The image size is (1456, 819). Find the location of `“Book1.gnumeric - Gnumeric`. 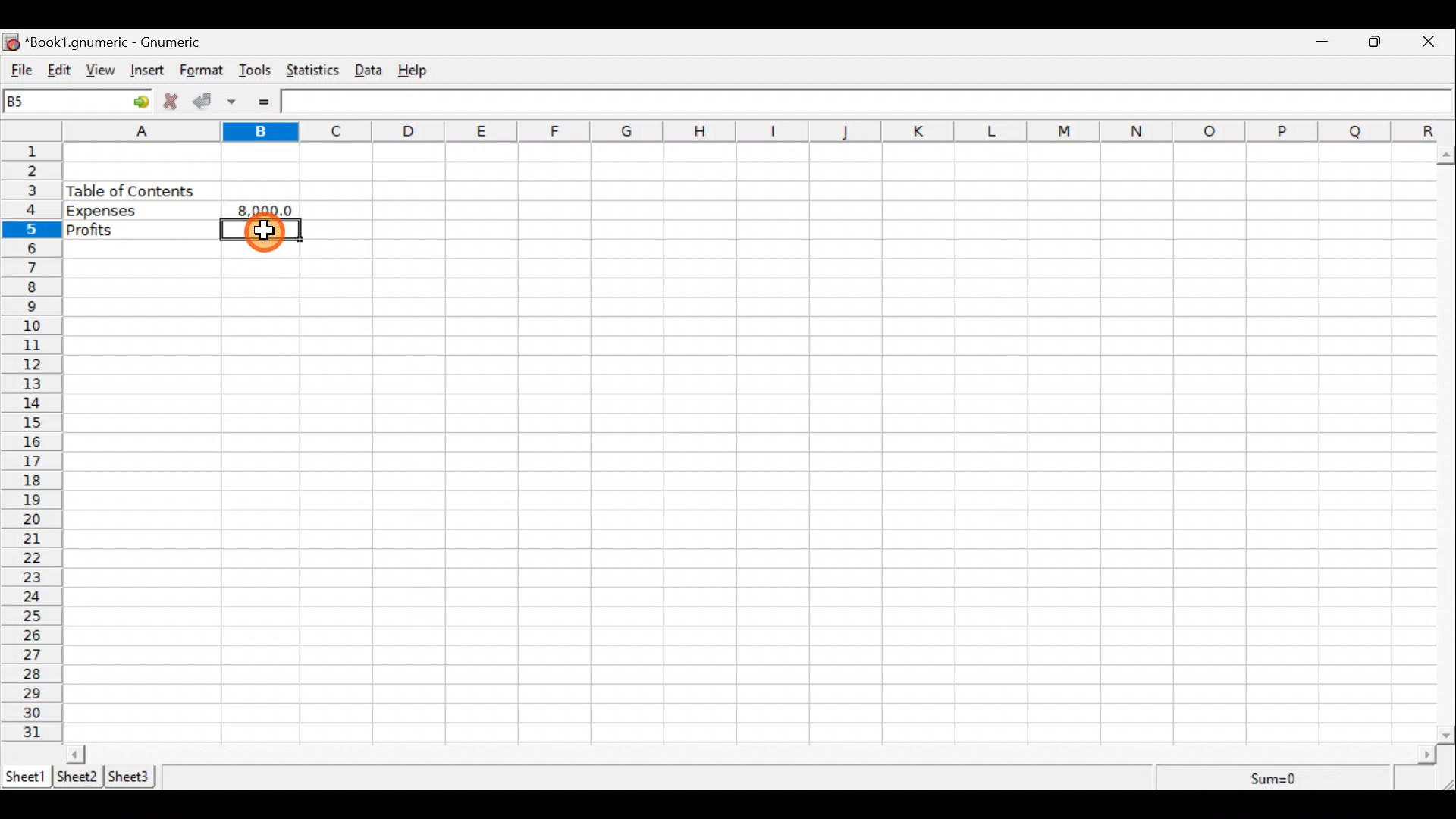

“Book1.gnumeric - Gnumeric is located at coordinates (121, 42).